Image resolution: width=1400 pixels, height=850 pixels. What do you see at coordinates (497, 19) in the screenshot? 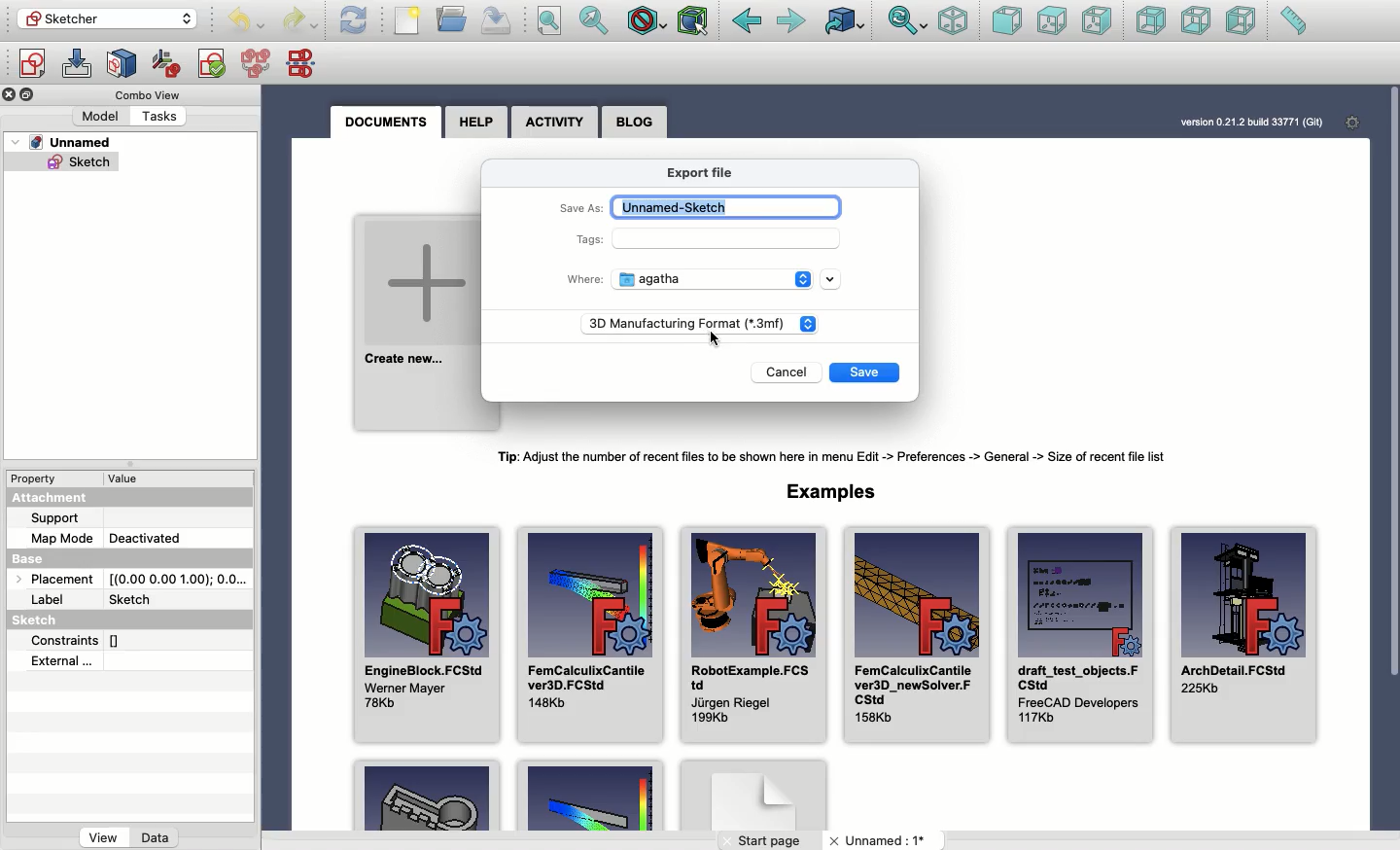
I see `Save` at bounding box center [497, 19].